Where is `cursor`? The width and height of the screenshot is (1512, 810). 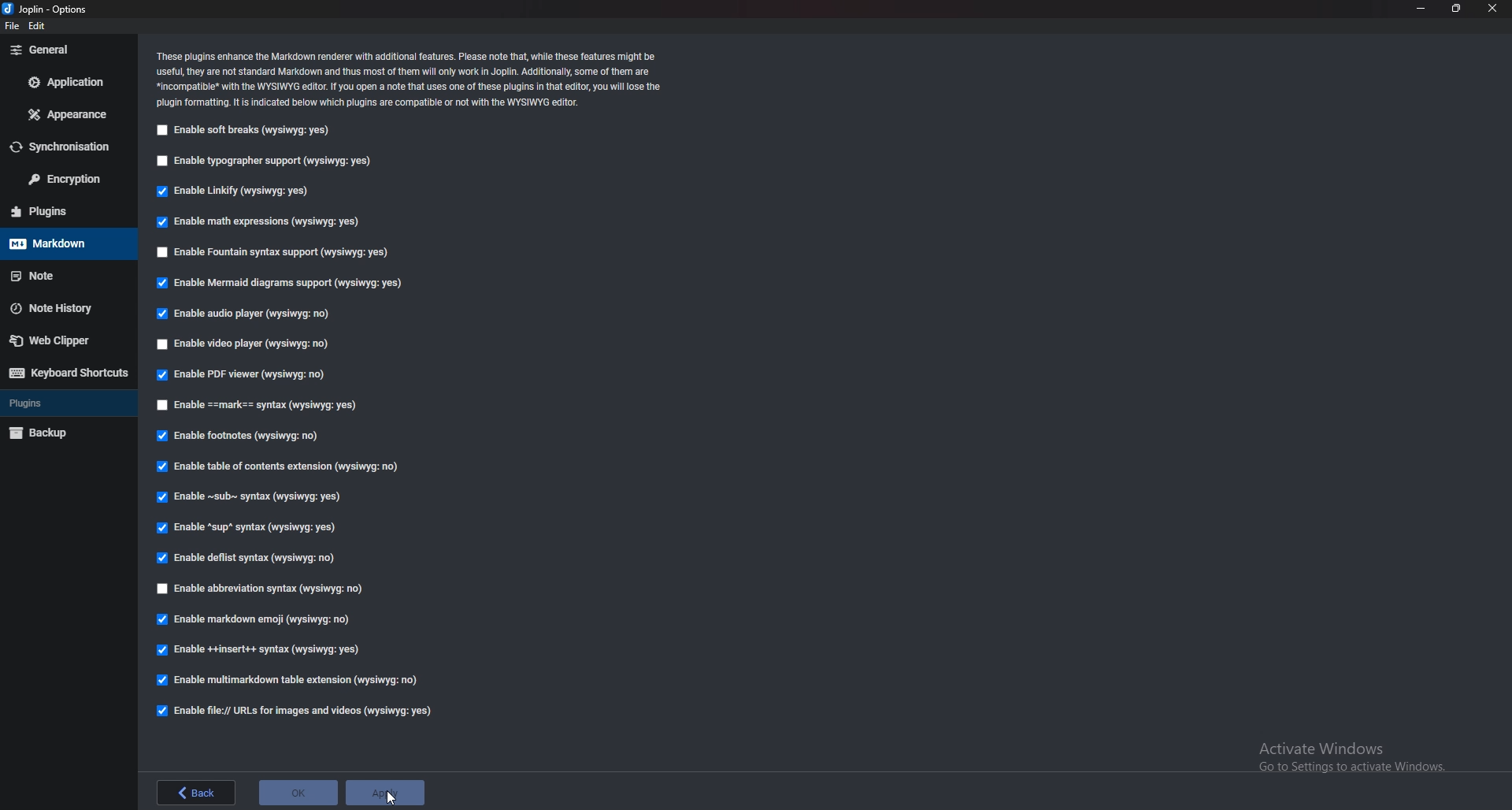 cursor is located at coordinates (391, 796).